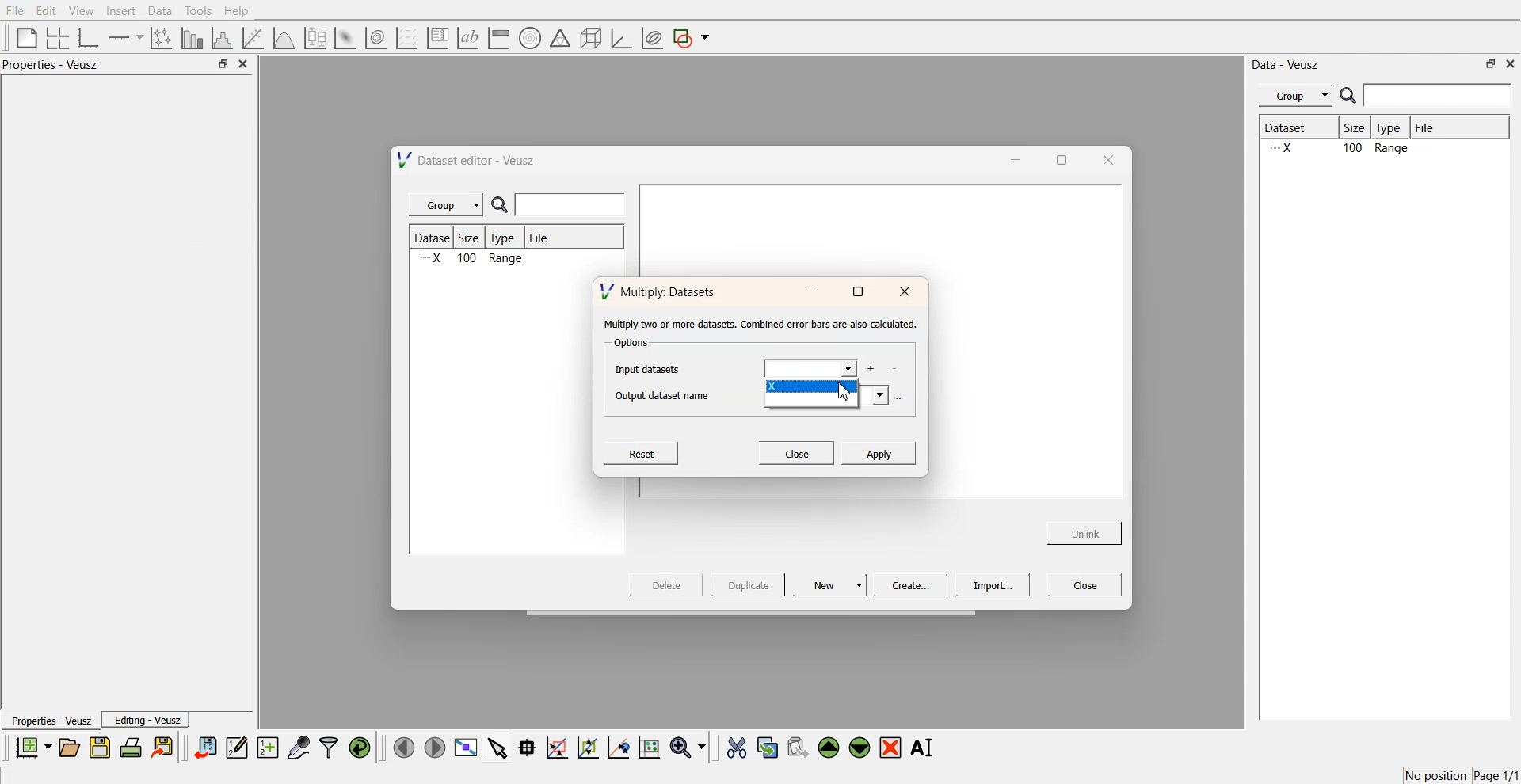  What do you see at coordinates (760, 325) in the screenshot?
I see `‘Multiply two or more datasets. Combined error bars are also calculated.` at bounding box center [760, 325].